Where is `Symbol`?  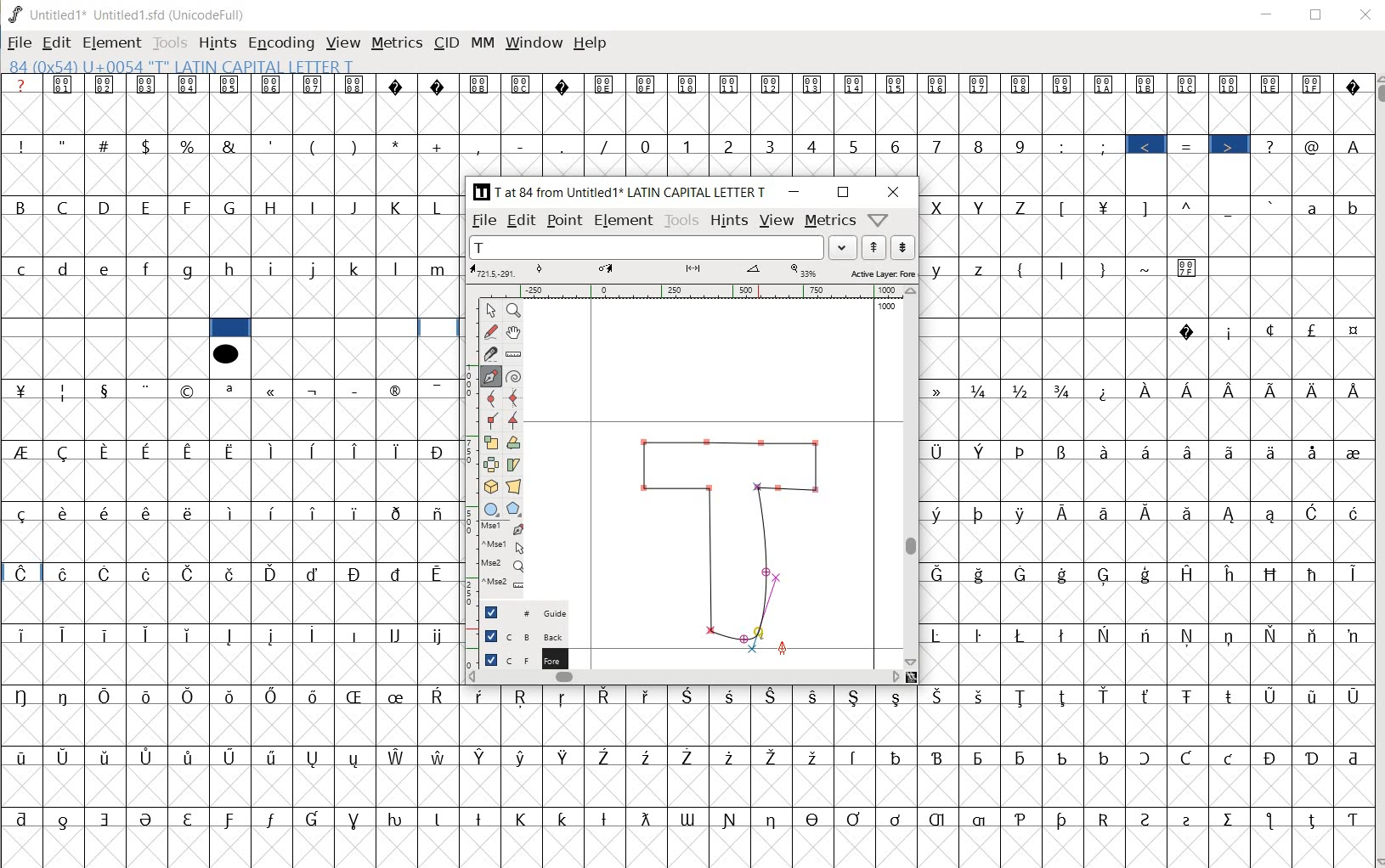
Symbol is located at coordinates (1272, 820).